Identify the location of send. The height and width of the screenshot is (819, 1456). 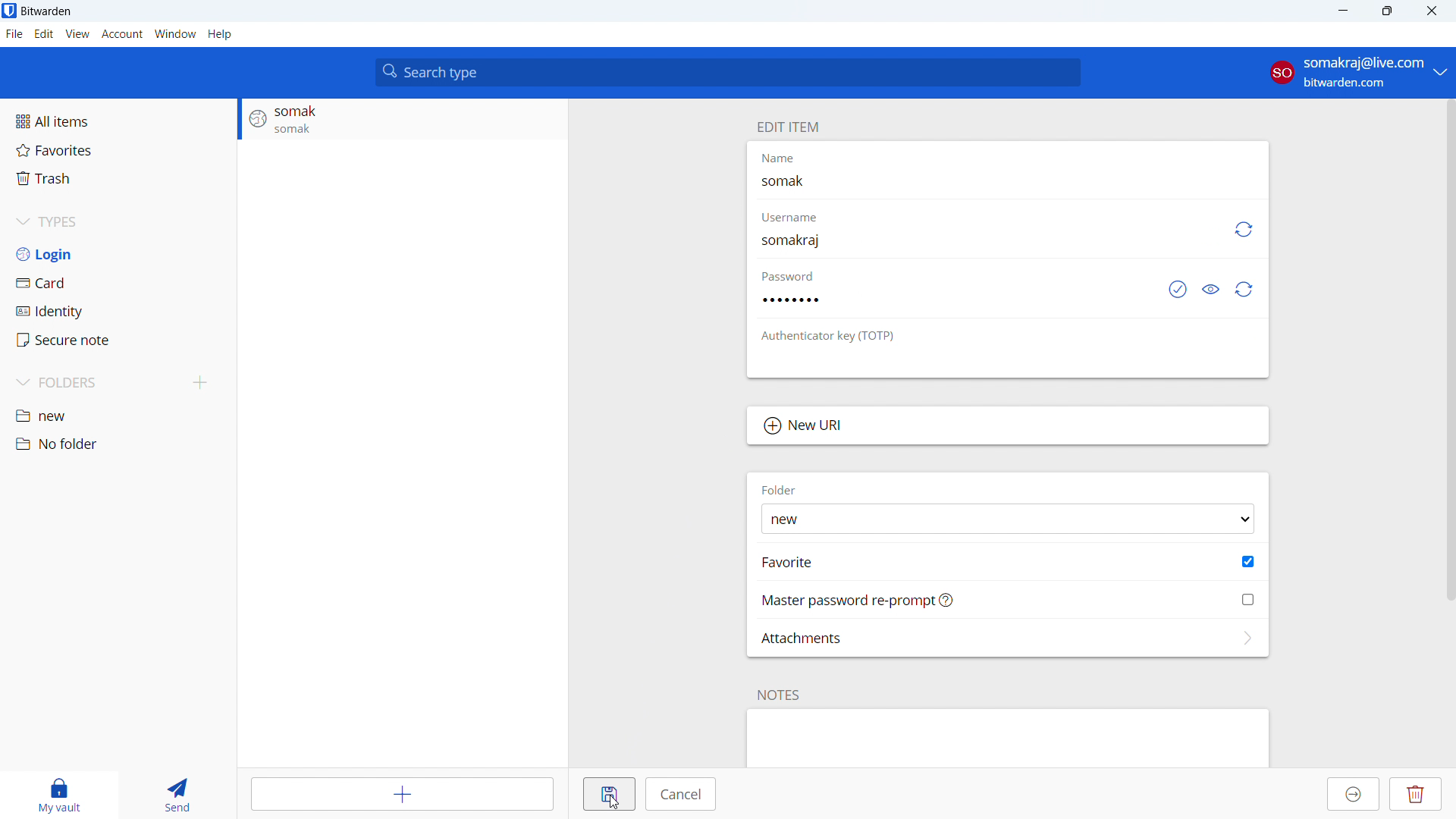
(182, 792).